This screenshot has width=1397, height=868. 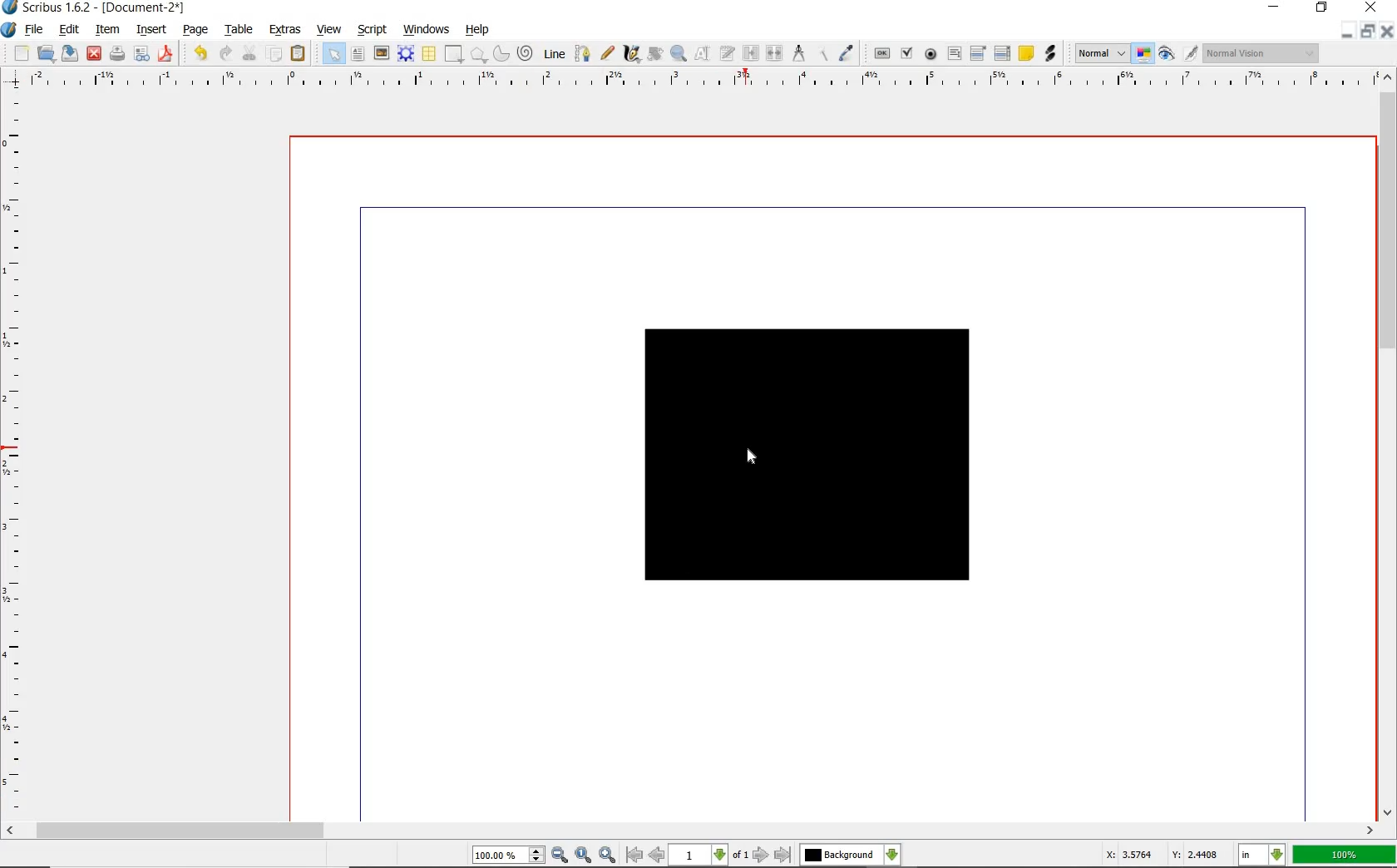 I want to click on free hand line, so click(x=607, y=52).